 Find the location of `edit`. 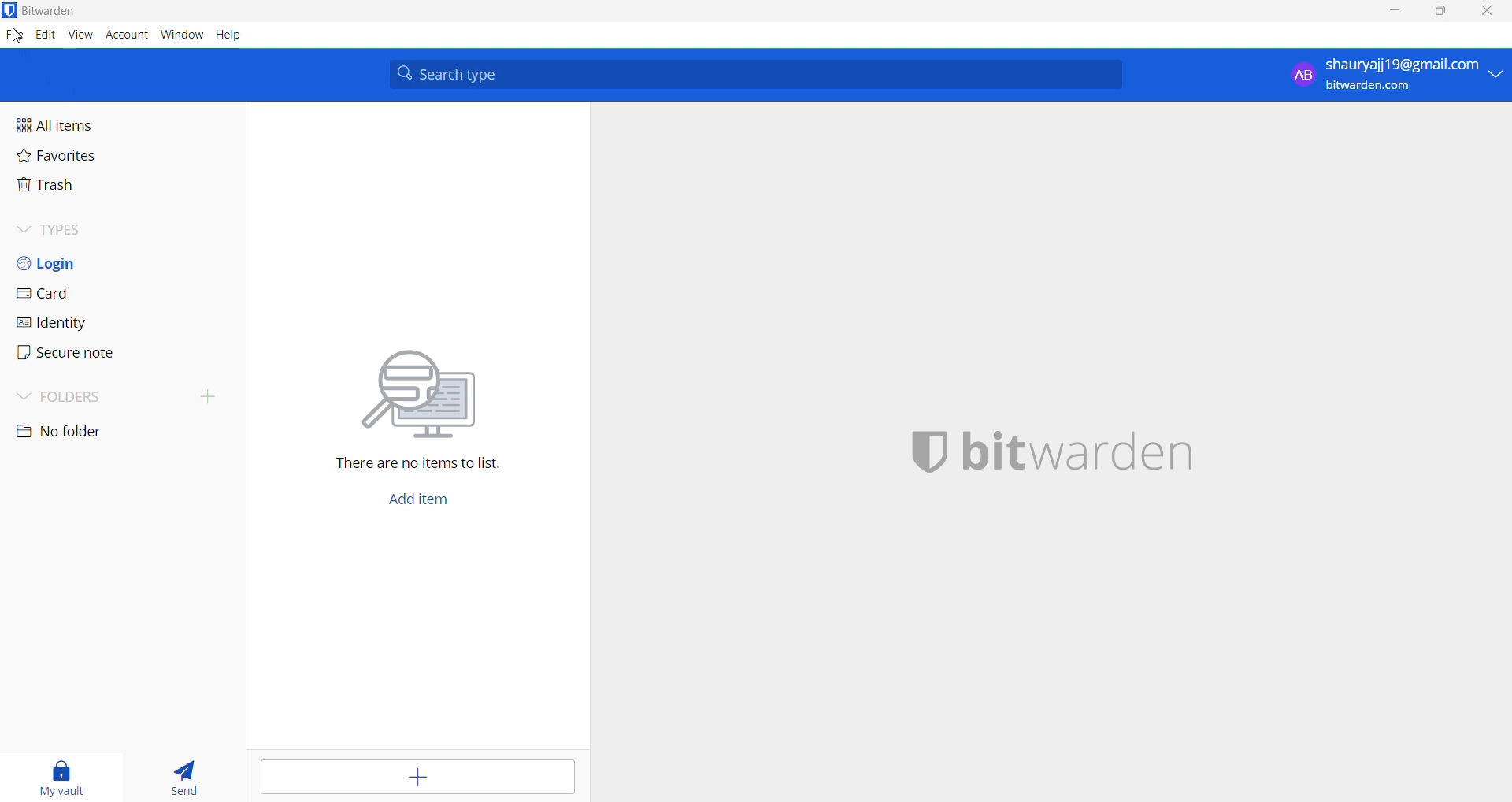

edit is located at coordinates (44, 35).